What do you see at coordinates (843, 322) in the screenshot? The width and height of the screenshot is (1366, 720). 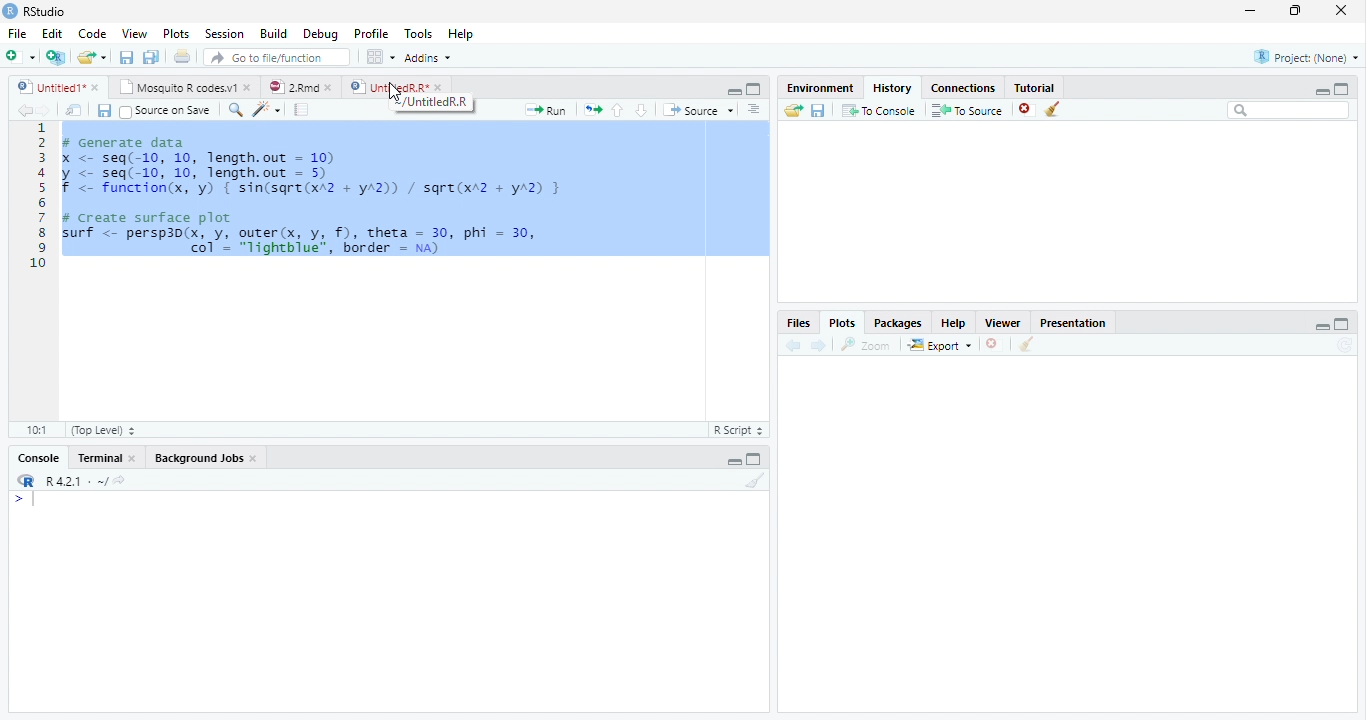 I see `Plots` at bounding box center [843, 322].